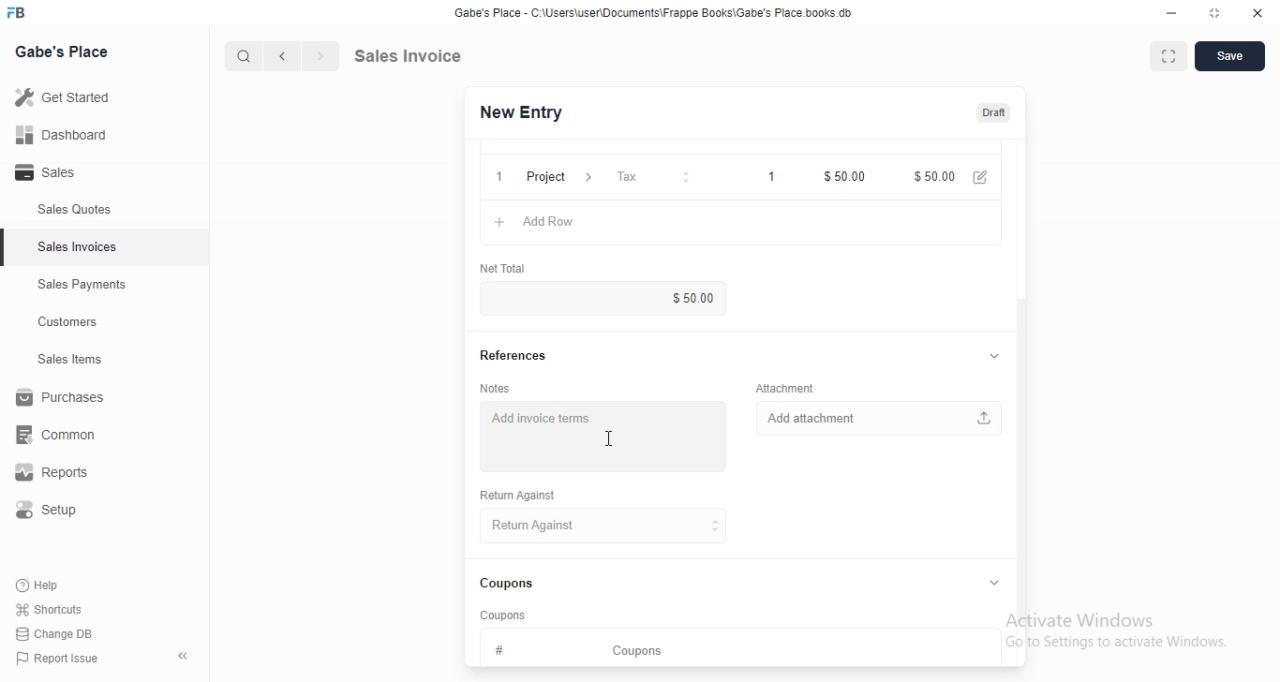  What do you see at coordinates (555, 222) in the screenshot?
I see `Add row` at bounding box center [555, 222].